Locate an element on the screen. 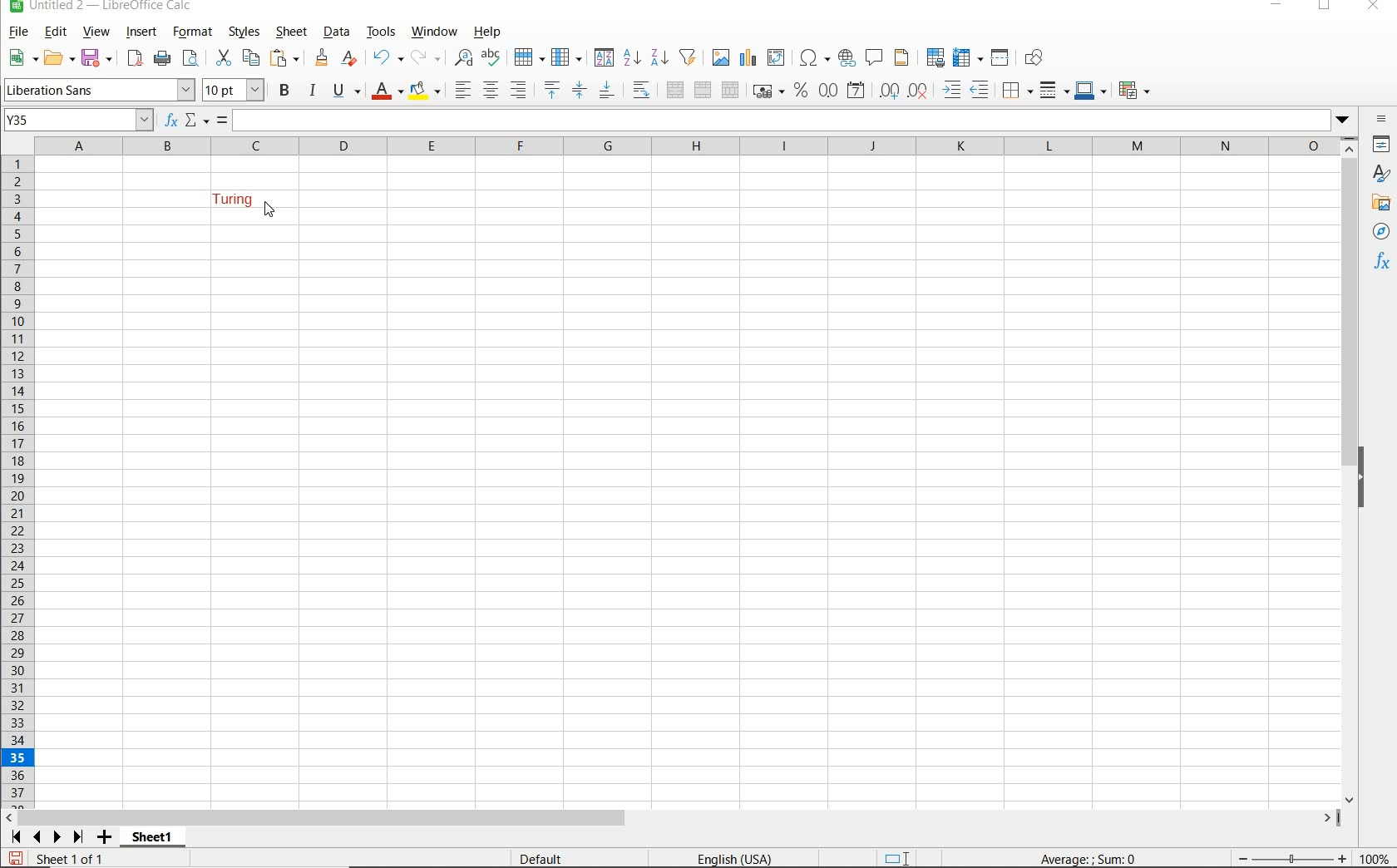 The image size is (1397, 868). SHEET is located at coordinates (293, 33).